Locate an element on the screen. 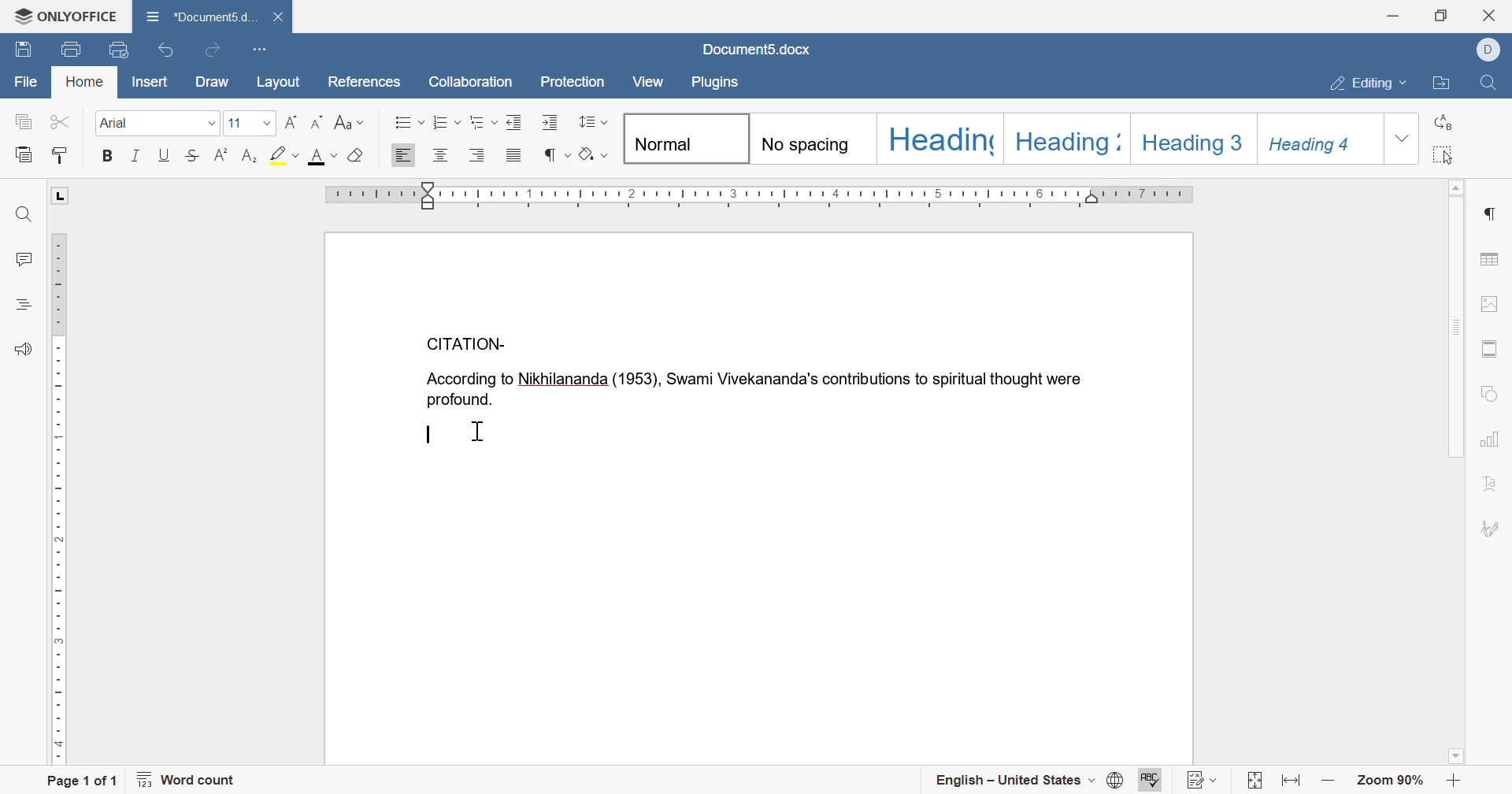 The image size is (1512, 794). text art settings is located at coordinates (1492, 485).